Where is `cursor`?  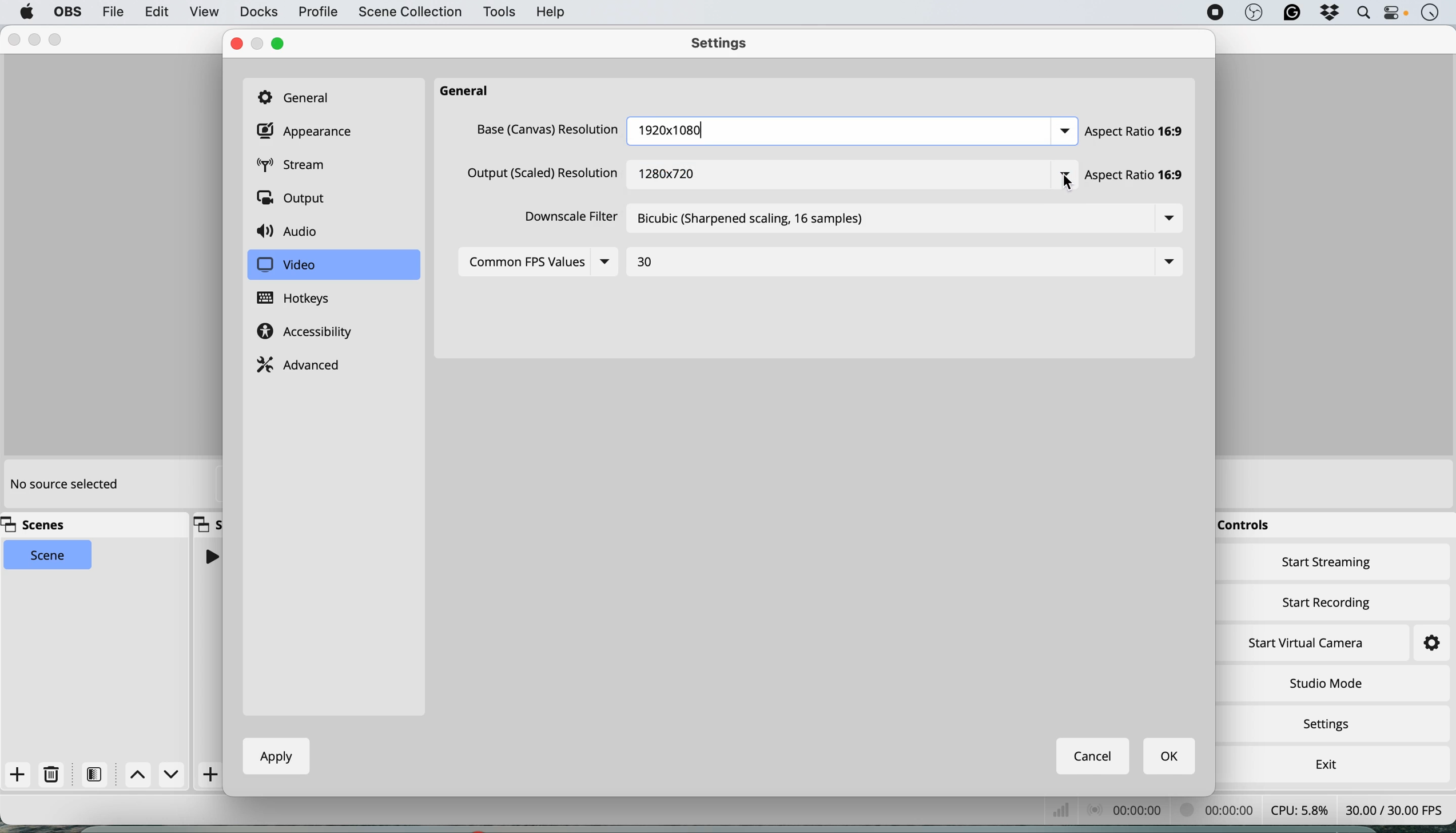 cursor is located at coordinates (1069, 184).